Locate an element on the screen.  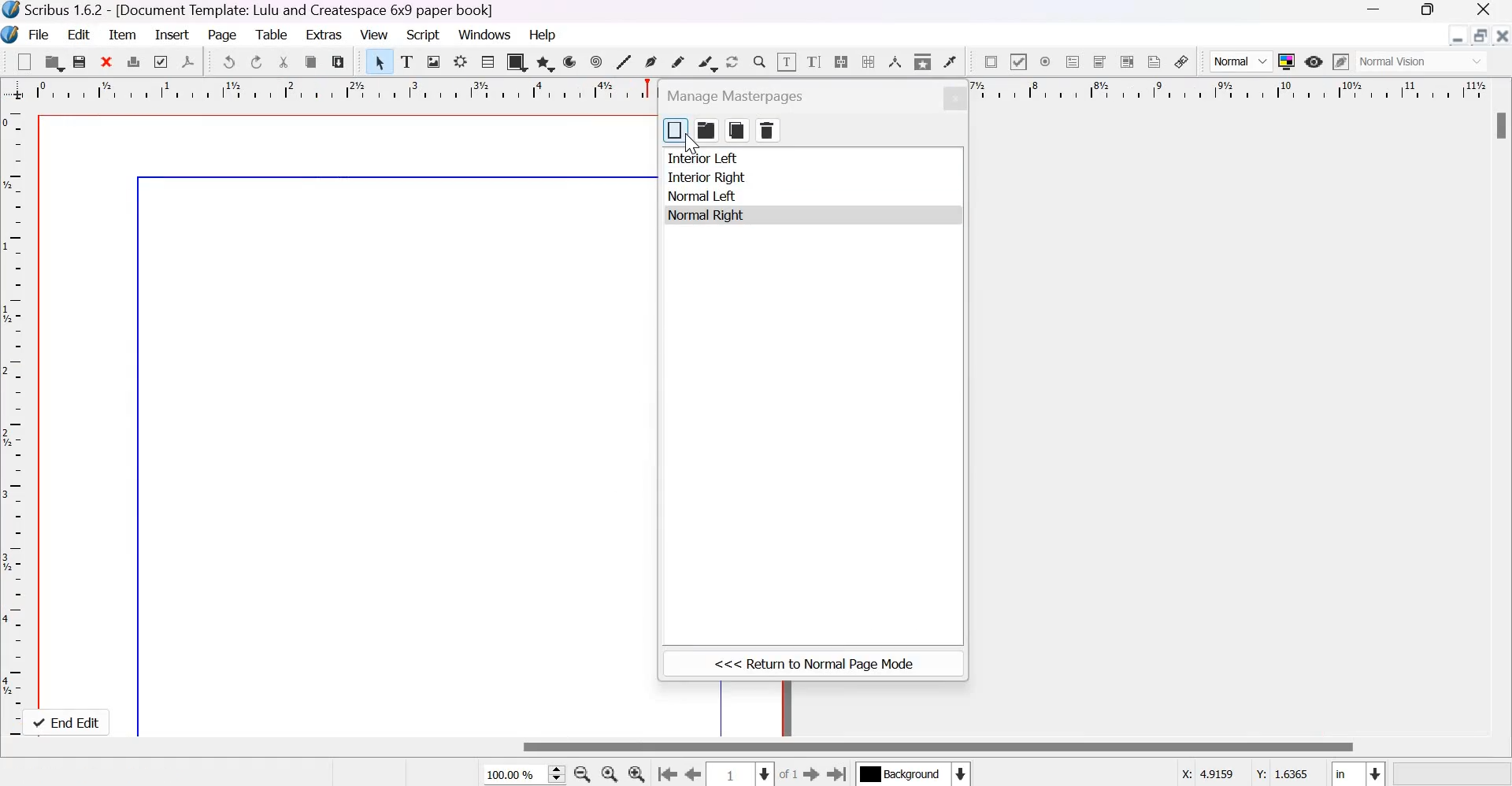
print is located at coordinates (132, 61).